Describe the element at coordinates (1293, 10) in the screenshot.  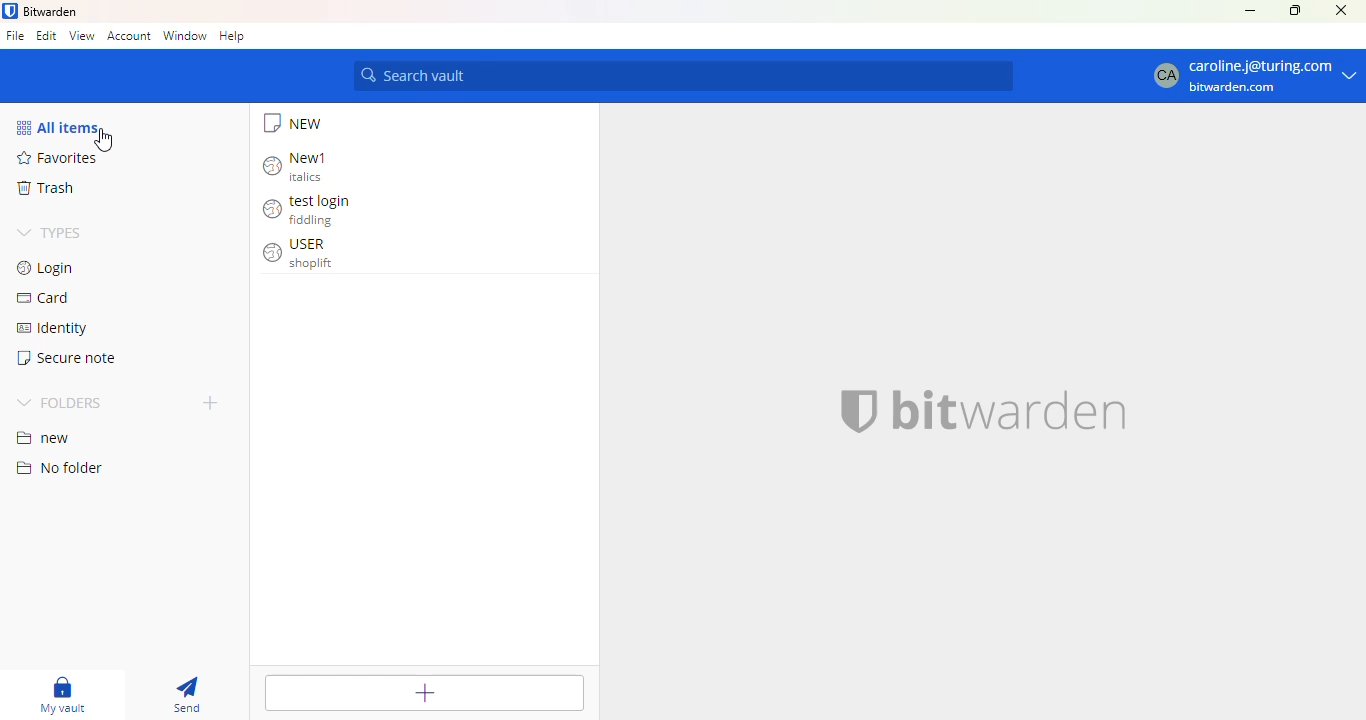
I see `maximize` at that location.